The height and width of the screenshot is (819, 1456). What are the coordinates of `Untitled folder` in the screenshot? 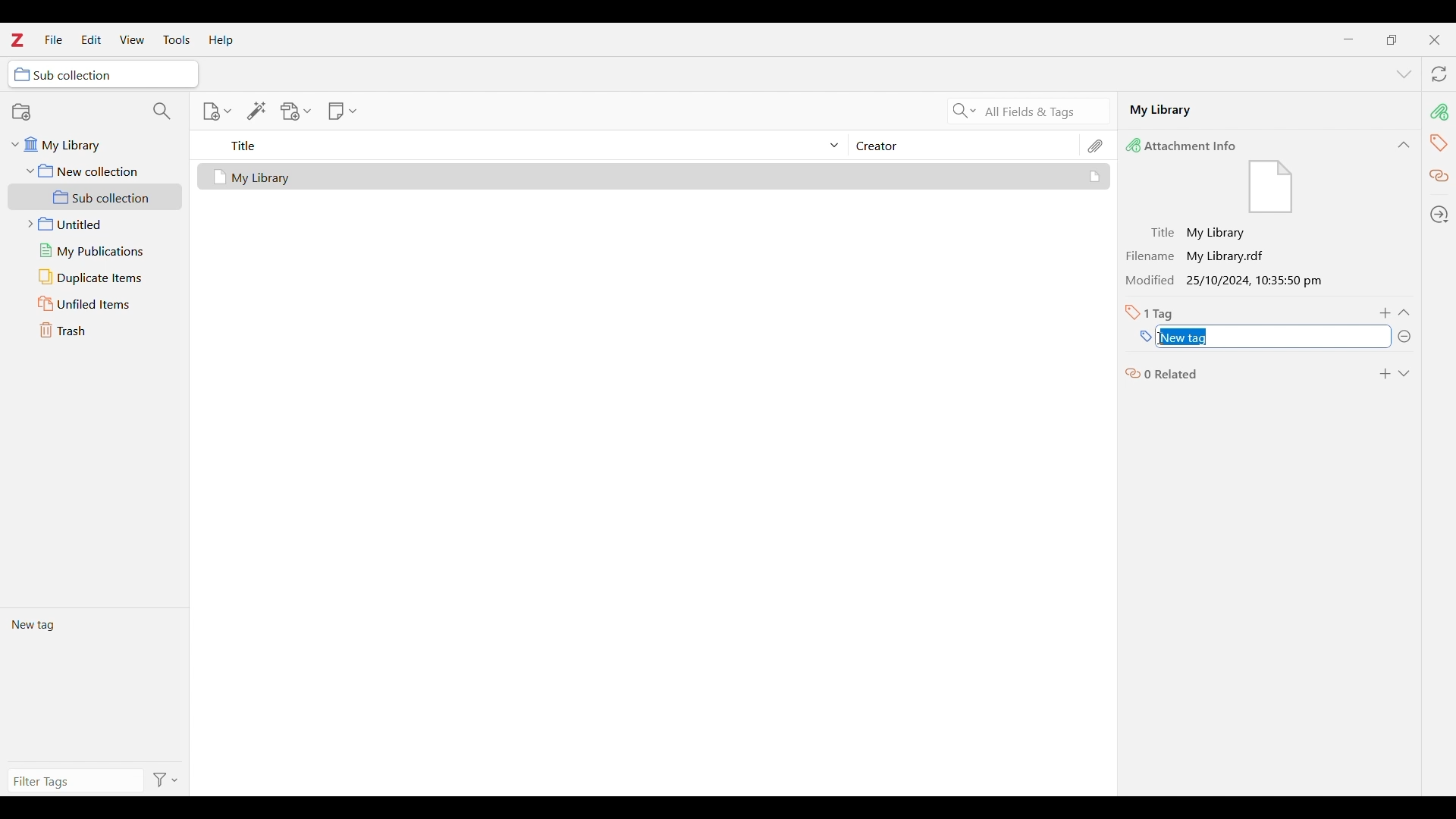 It's located at (92, 222).